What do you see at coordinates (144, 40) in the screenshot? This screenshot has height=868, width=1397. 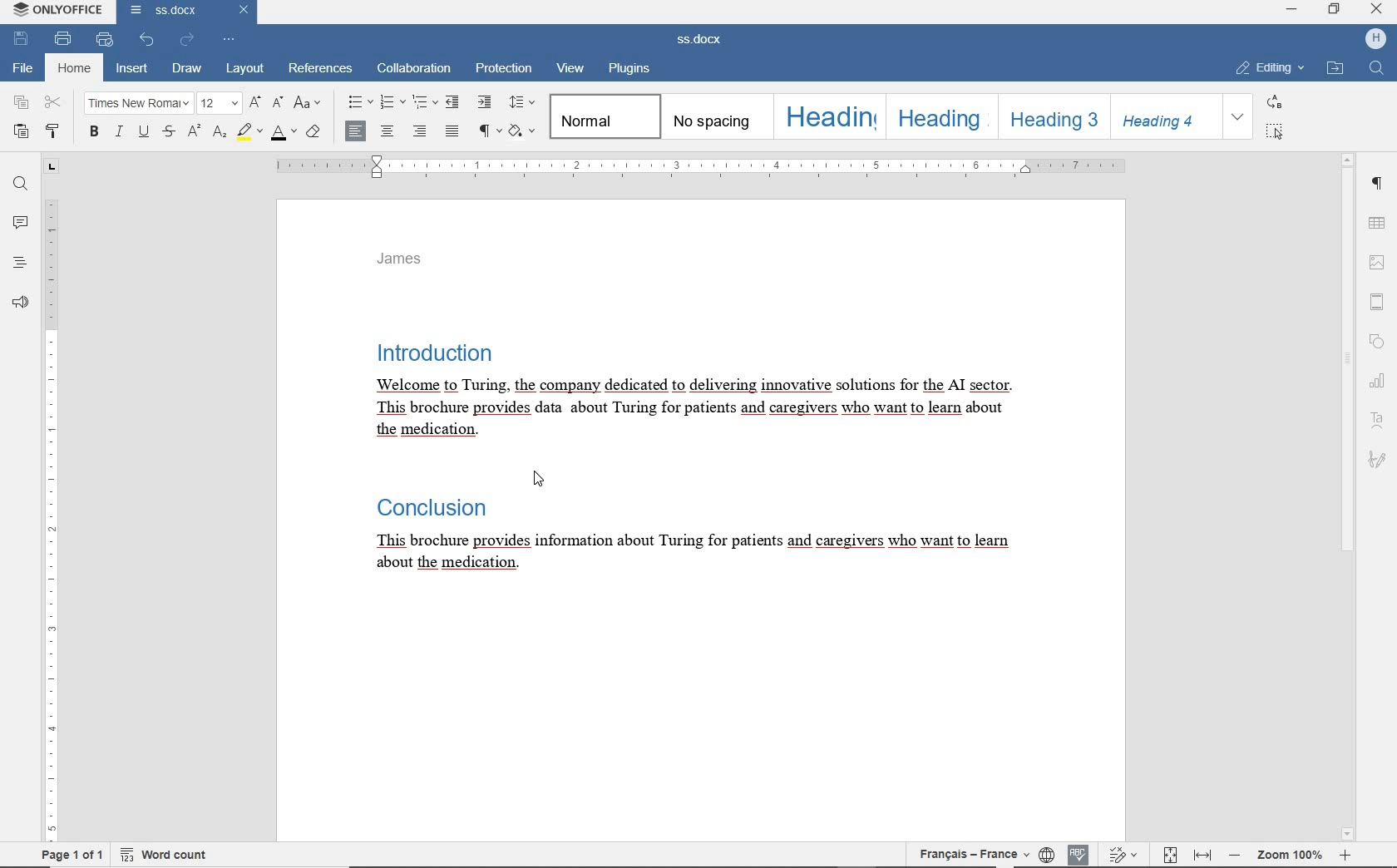 I see `UNDO` at bounding box center [144, 40].